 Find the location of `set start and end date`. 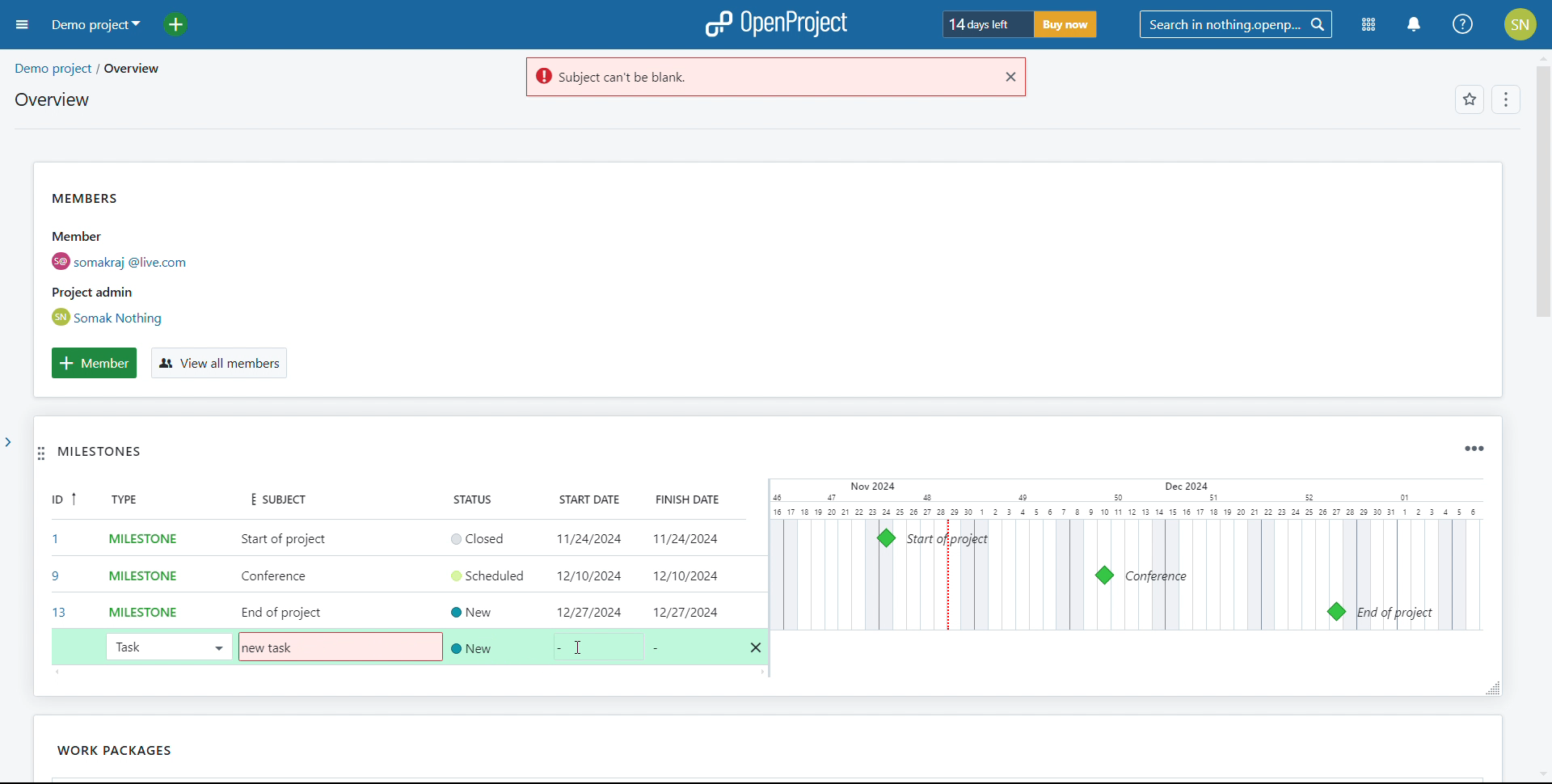

set start and end date is located at coordinates (661, 575).